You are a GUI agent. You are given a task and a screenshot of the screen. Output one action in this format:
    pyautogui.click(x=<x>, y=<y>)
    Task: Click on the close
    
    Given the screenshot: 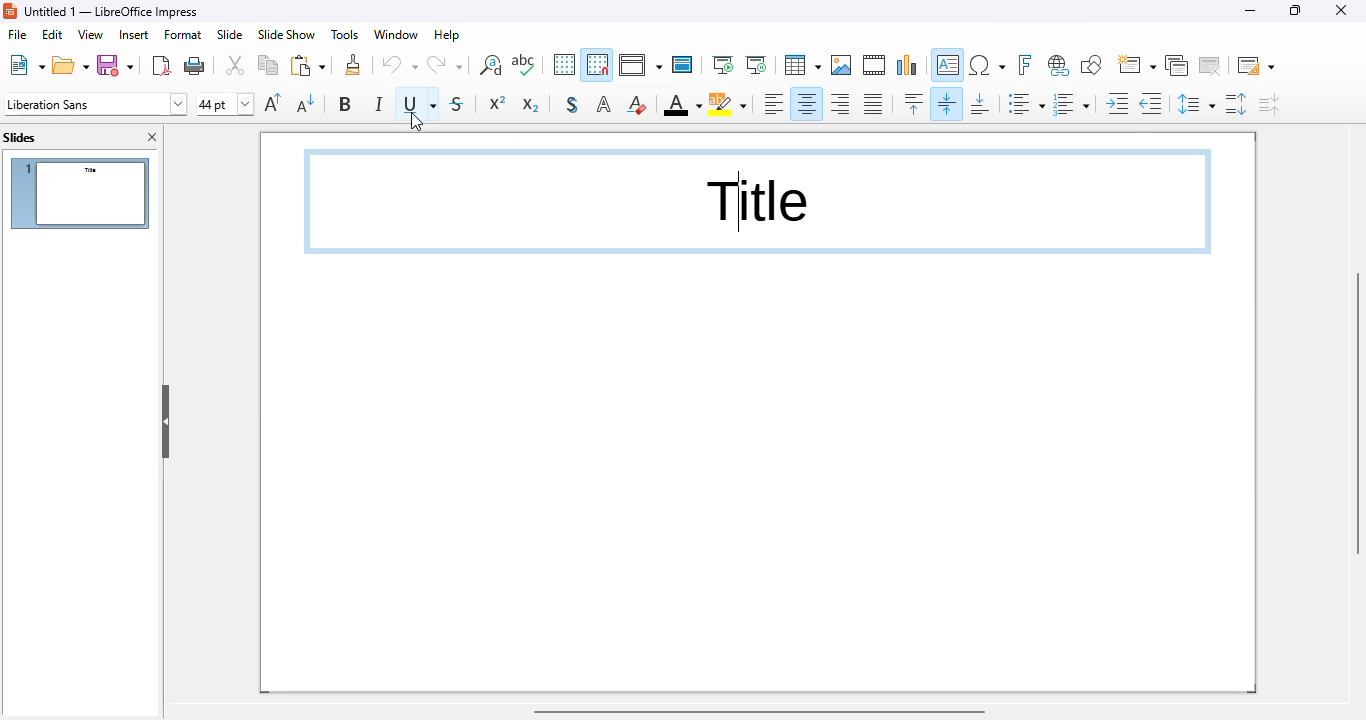 What is the action you would take?
    pyautogui.click(x=1341, y=10)
    